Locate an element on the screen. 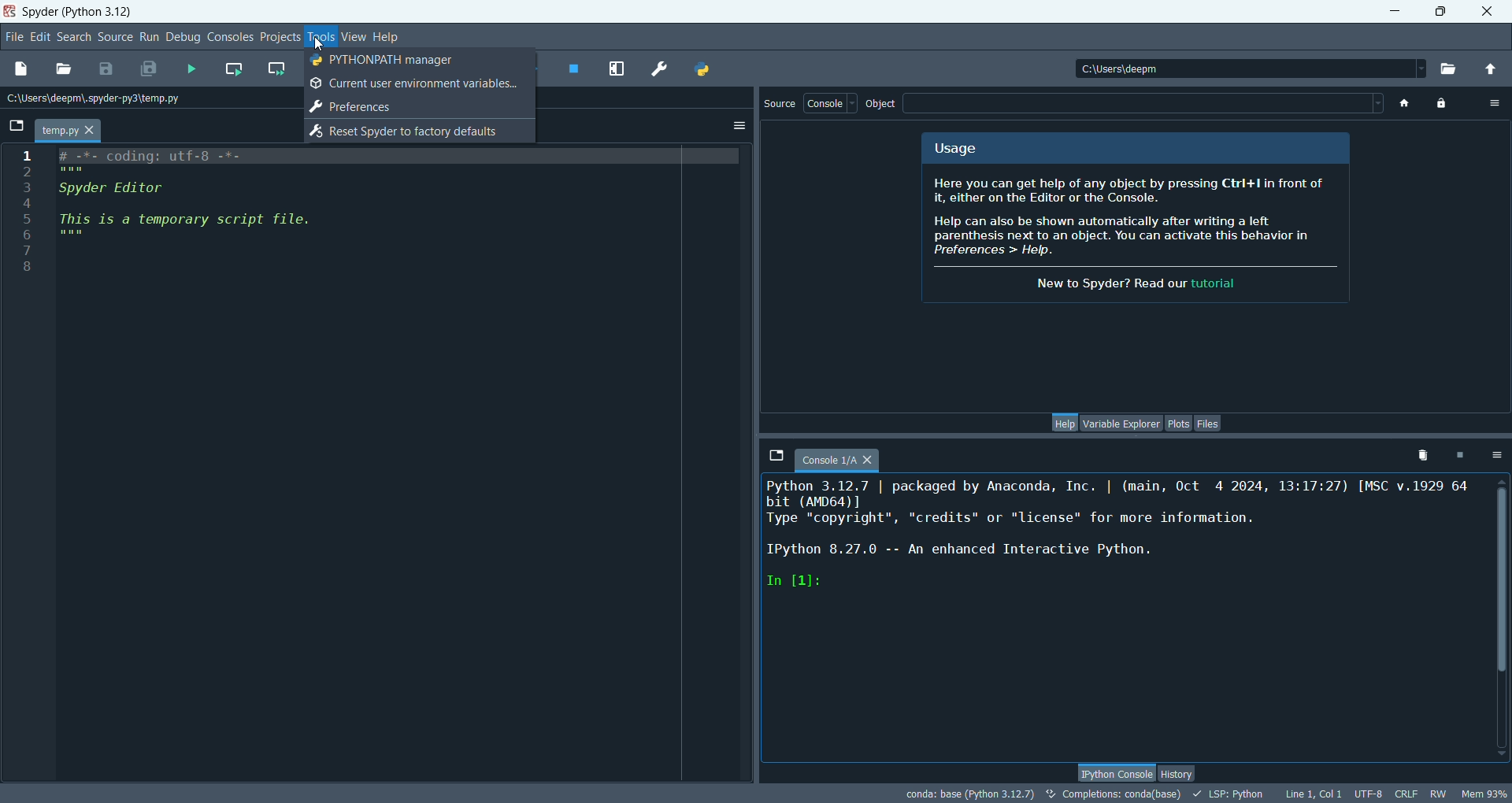 This screenshot has width=1512, height=803. variable explorer is located at coordinates (1123, 424).